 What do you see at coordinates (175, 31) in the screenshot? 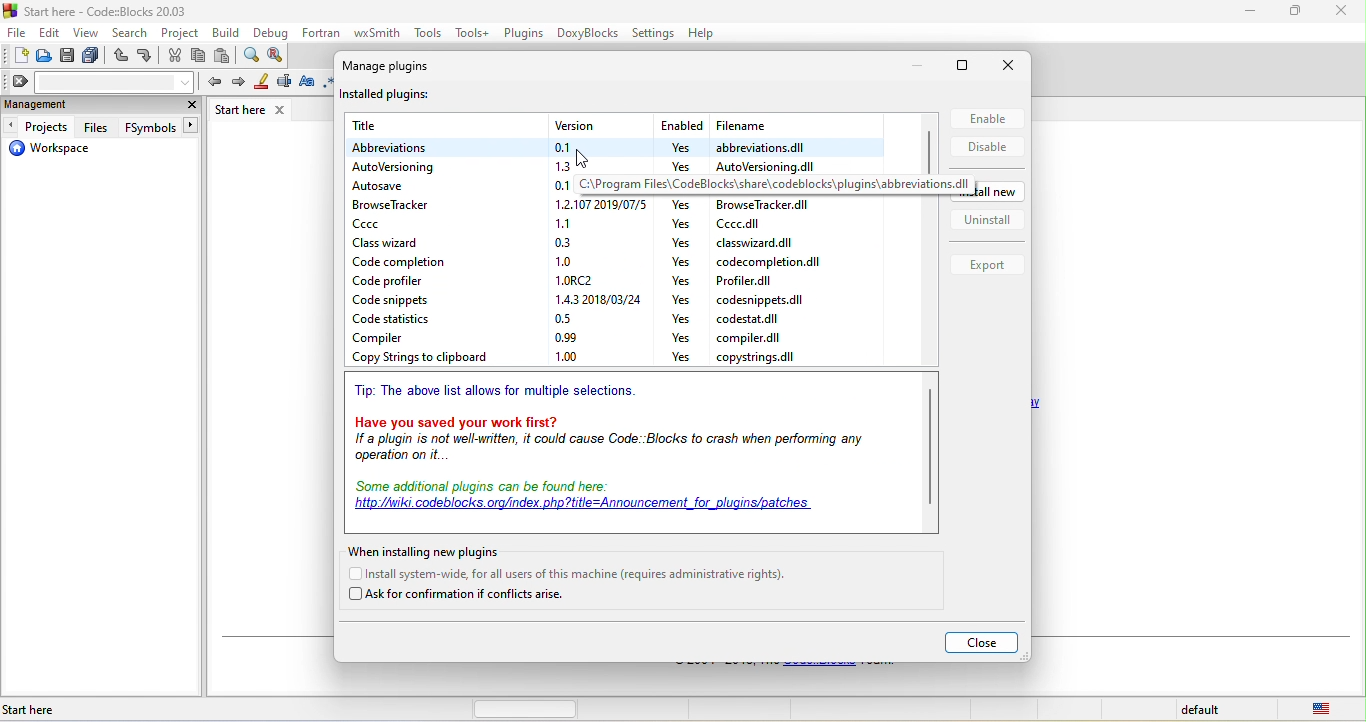
I see `project` at bounding box center [175, 31].